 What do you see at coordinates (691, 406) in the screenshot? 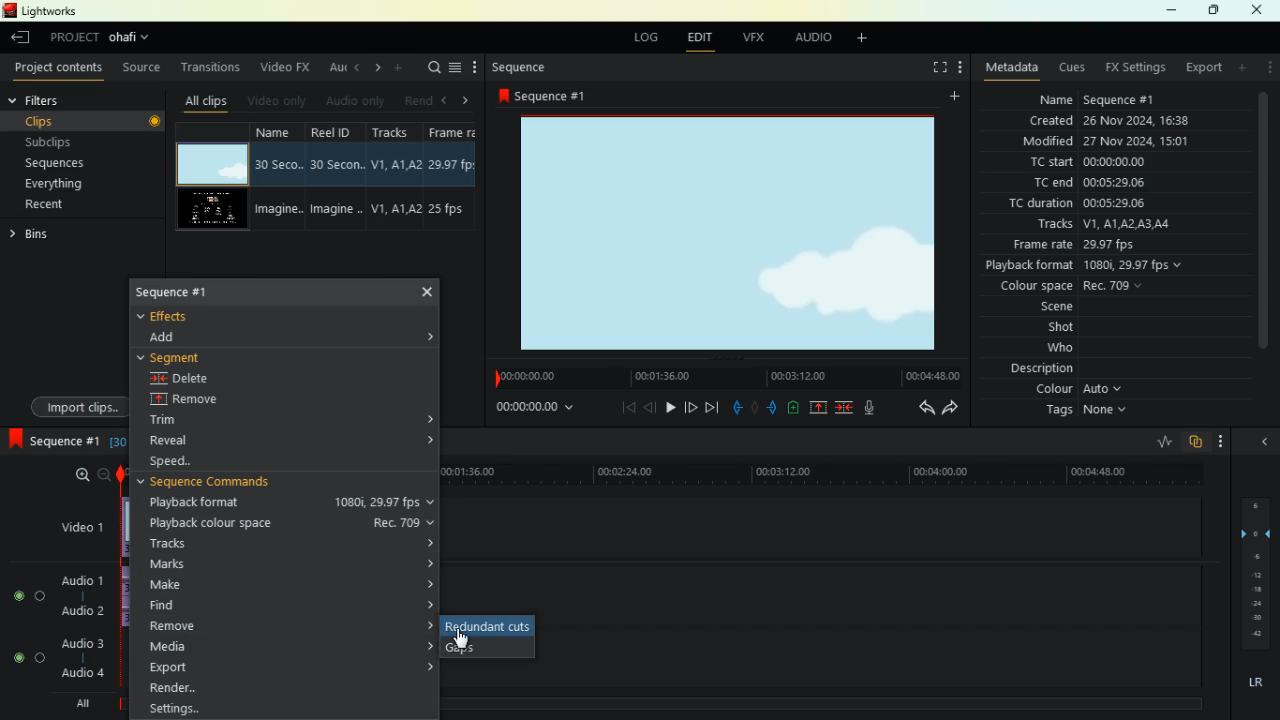
I see `forward` at bounding box center [691, 406].